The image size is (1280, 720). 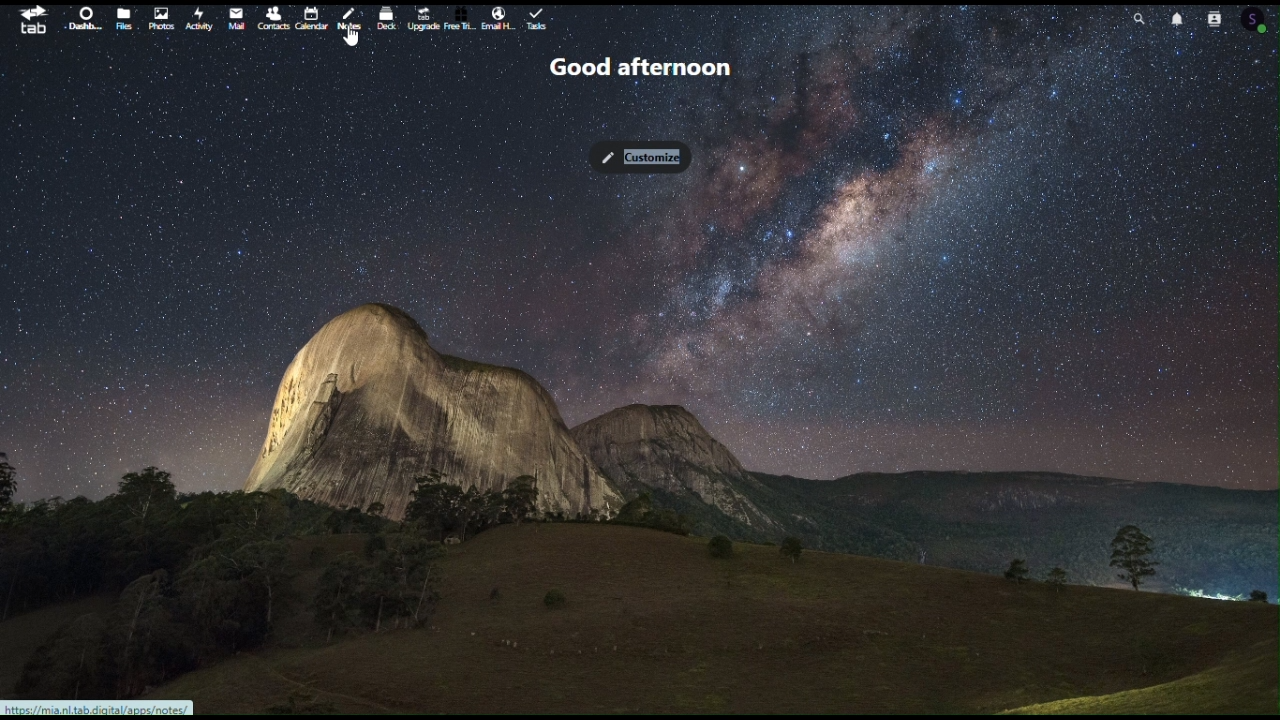 I want to click on Photos, so click(x=157, y=17).